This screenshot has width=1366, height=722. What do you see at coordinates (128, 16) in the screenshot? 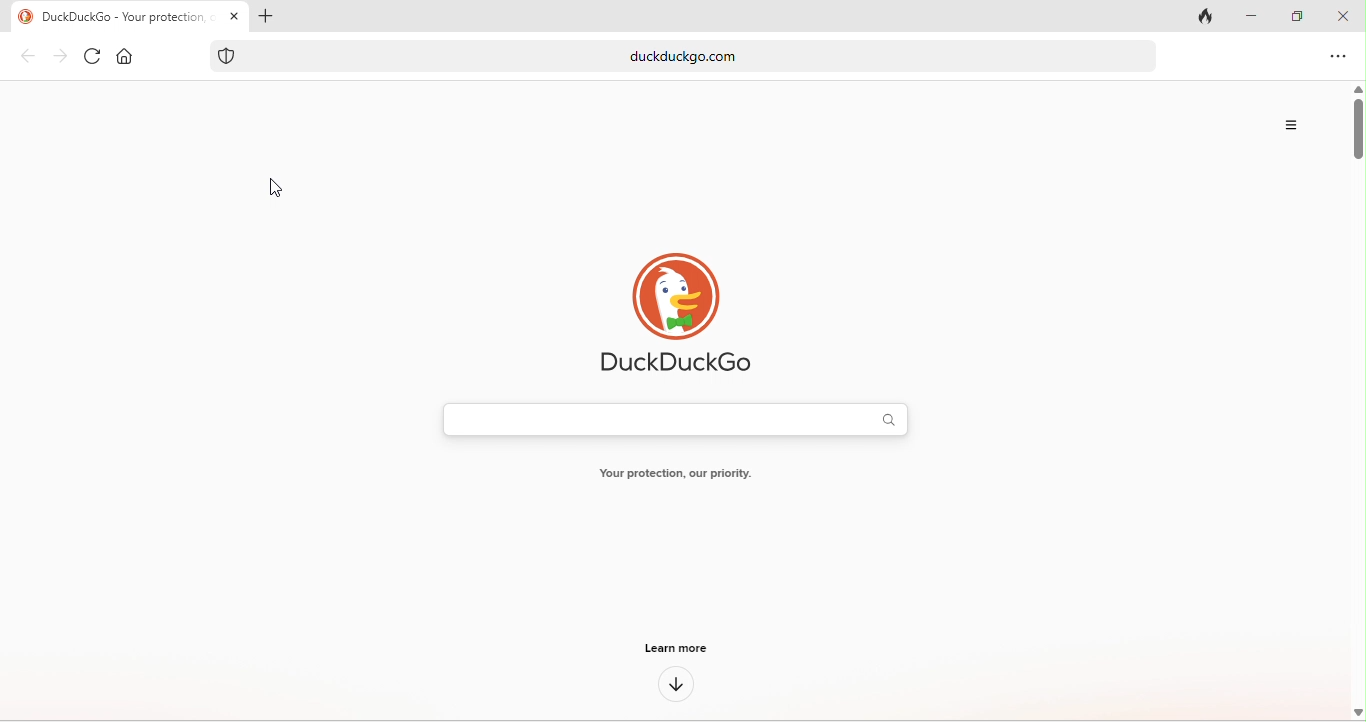
I see `DuckDuckGo - Your protection` at bounding box center [128, 16].